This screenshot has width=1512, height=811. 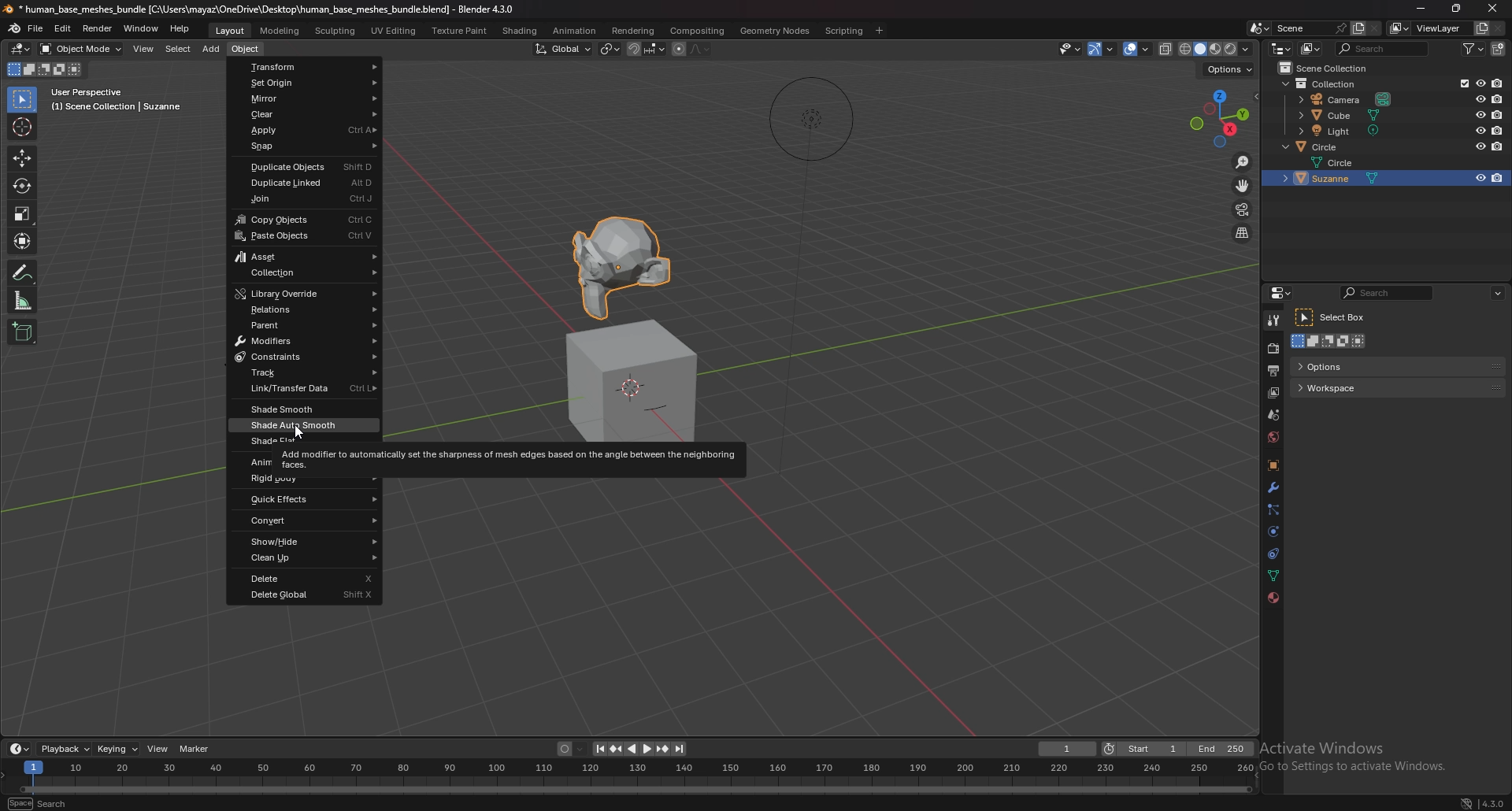 What do you see at coordinates (303, 310) in the screenshot?
I see `relations` at bounding box center [303, 310].